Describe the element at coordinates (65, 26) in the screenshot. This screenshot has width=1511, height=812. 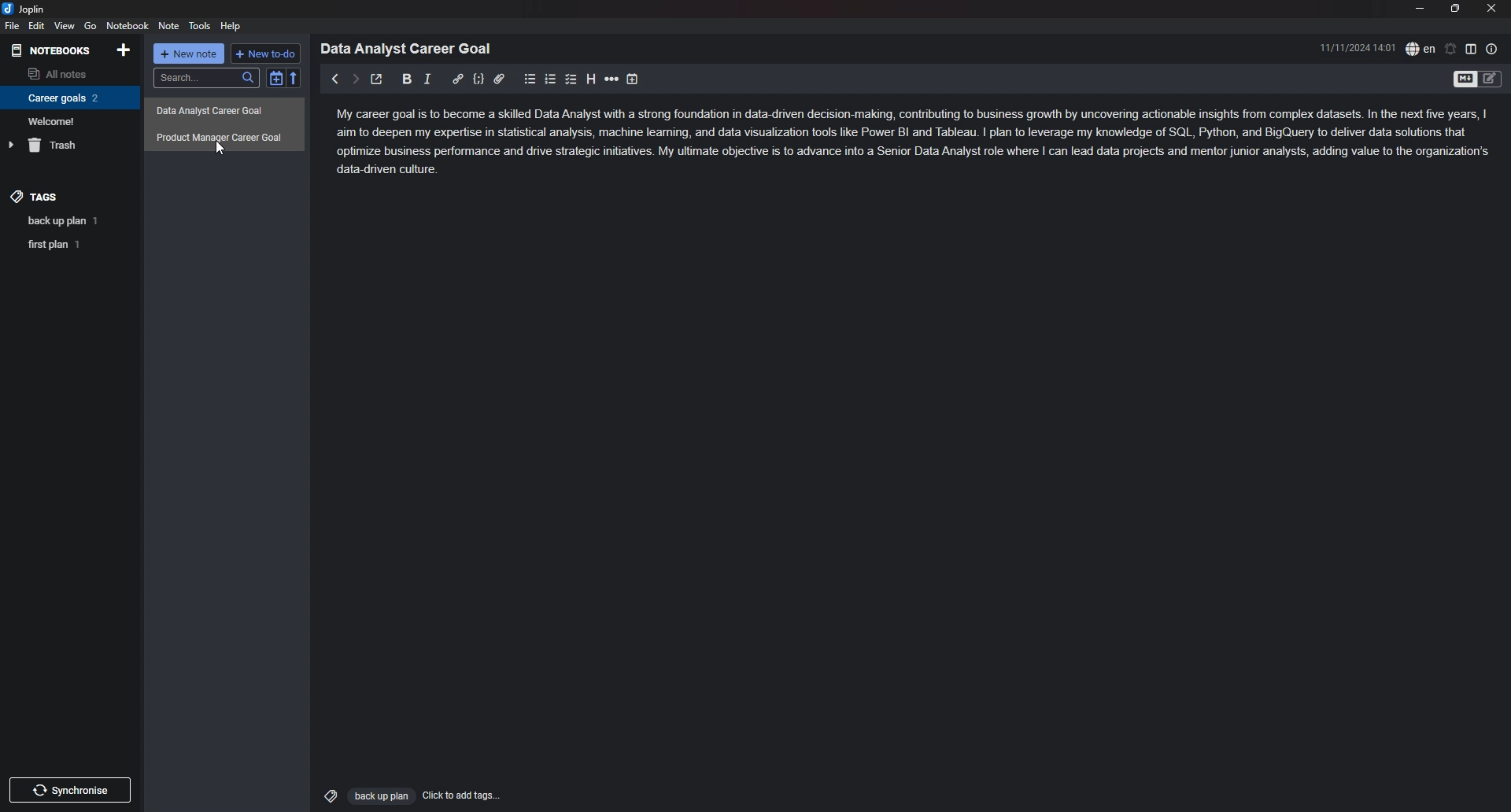
I see `view` at that location.